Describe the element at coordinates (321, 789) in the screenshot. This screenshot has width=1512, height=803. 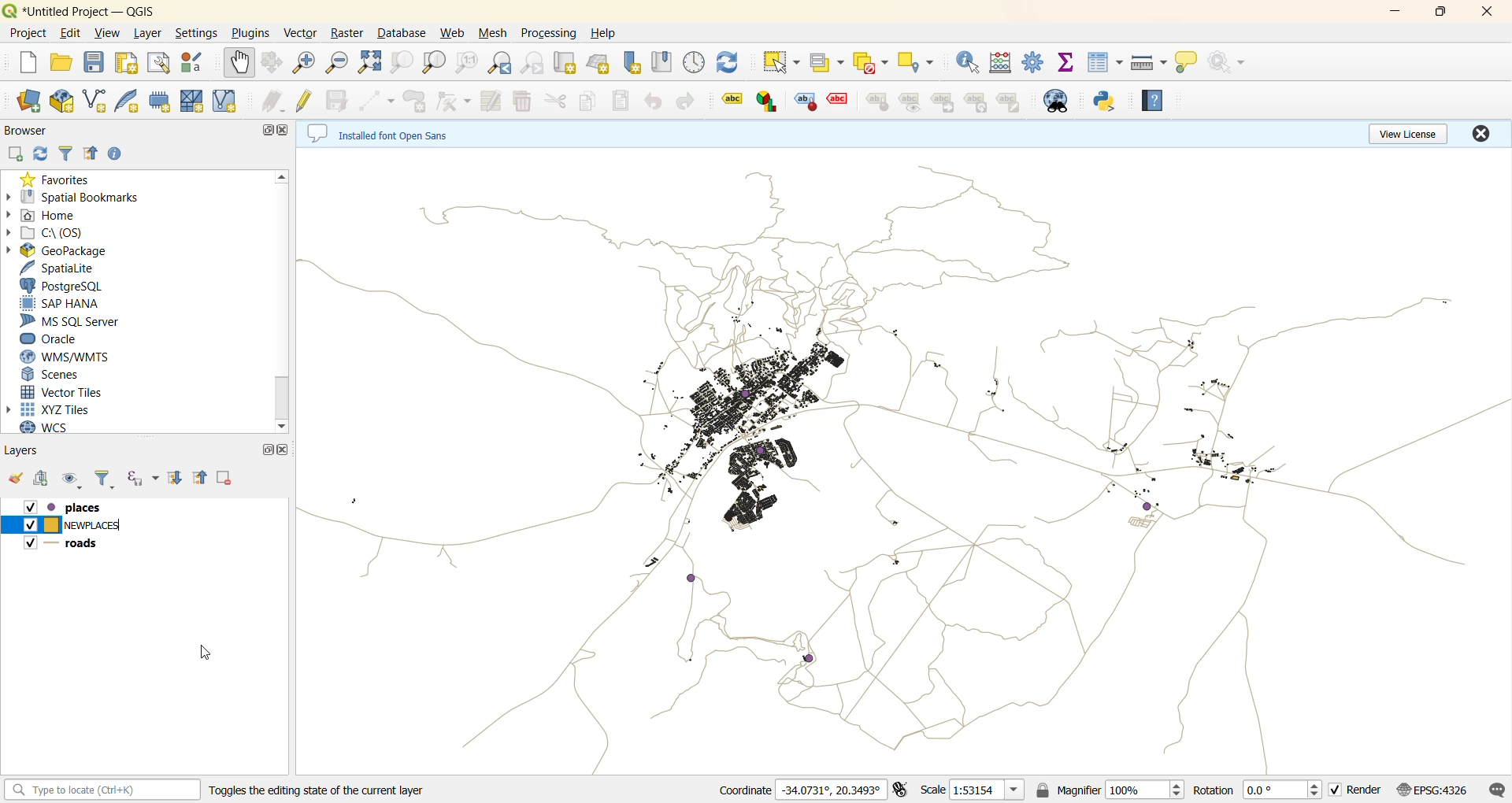
I see `Toggles the editing state of the current layer` at that location.